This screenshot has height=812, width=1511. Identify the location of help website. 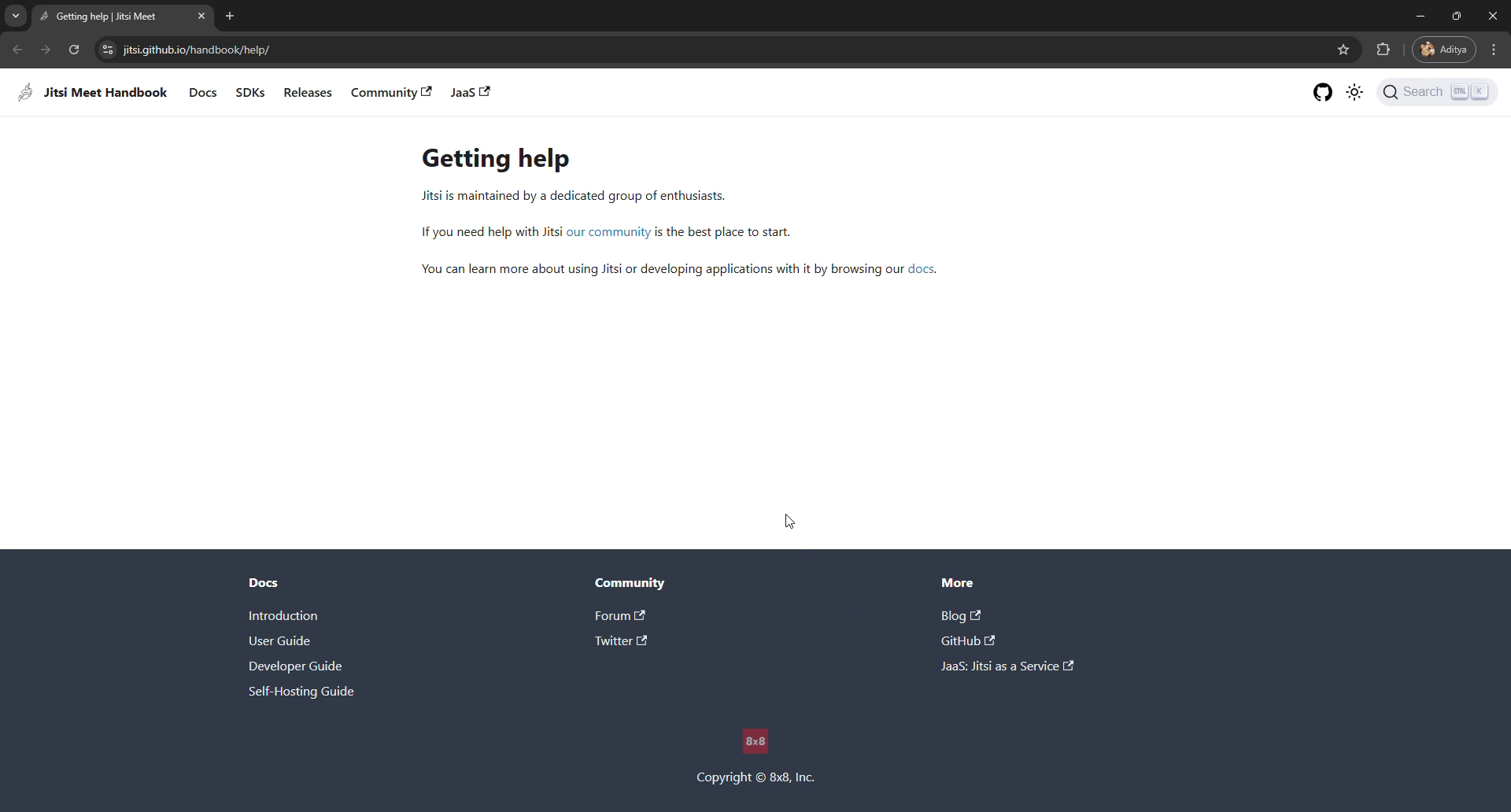
(193, 50).